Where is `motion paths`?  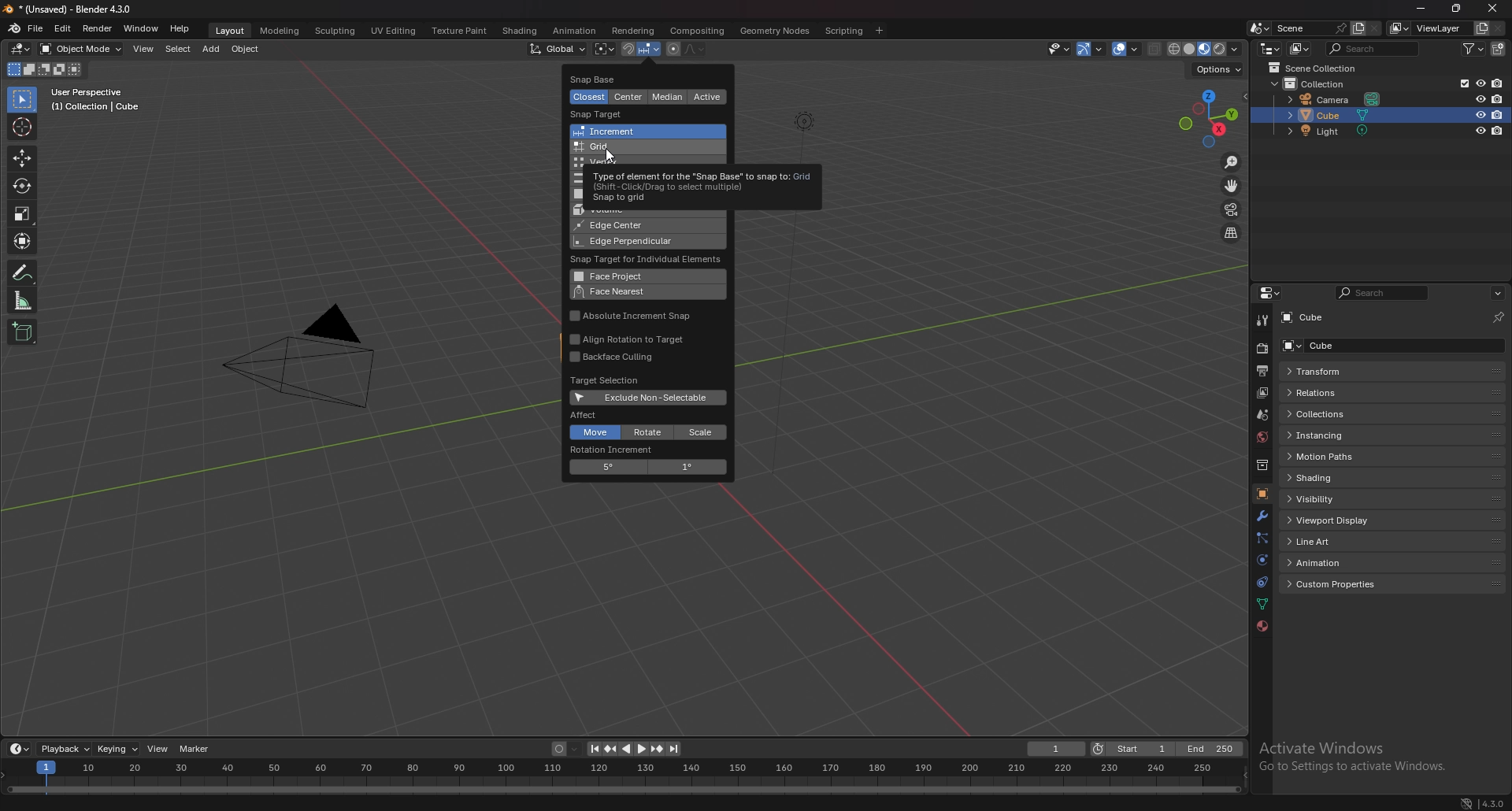
motion paths is located at coordinates (1336, 457).